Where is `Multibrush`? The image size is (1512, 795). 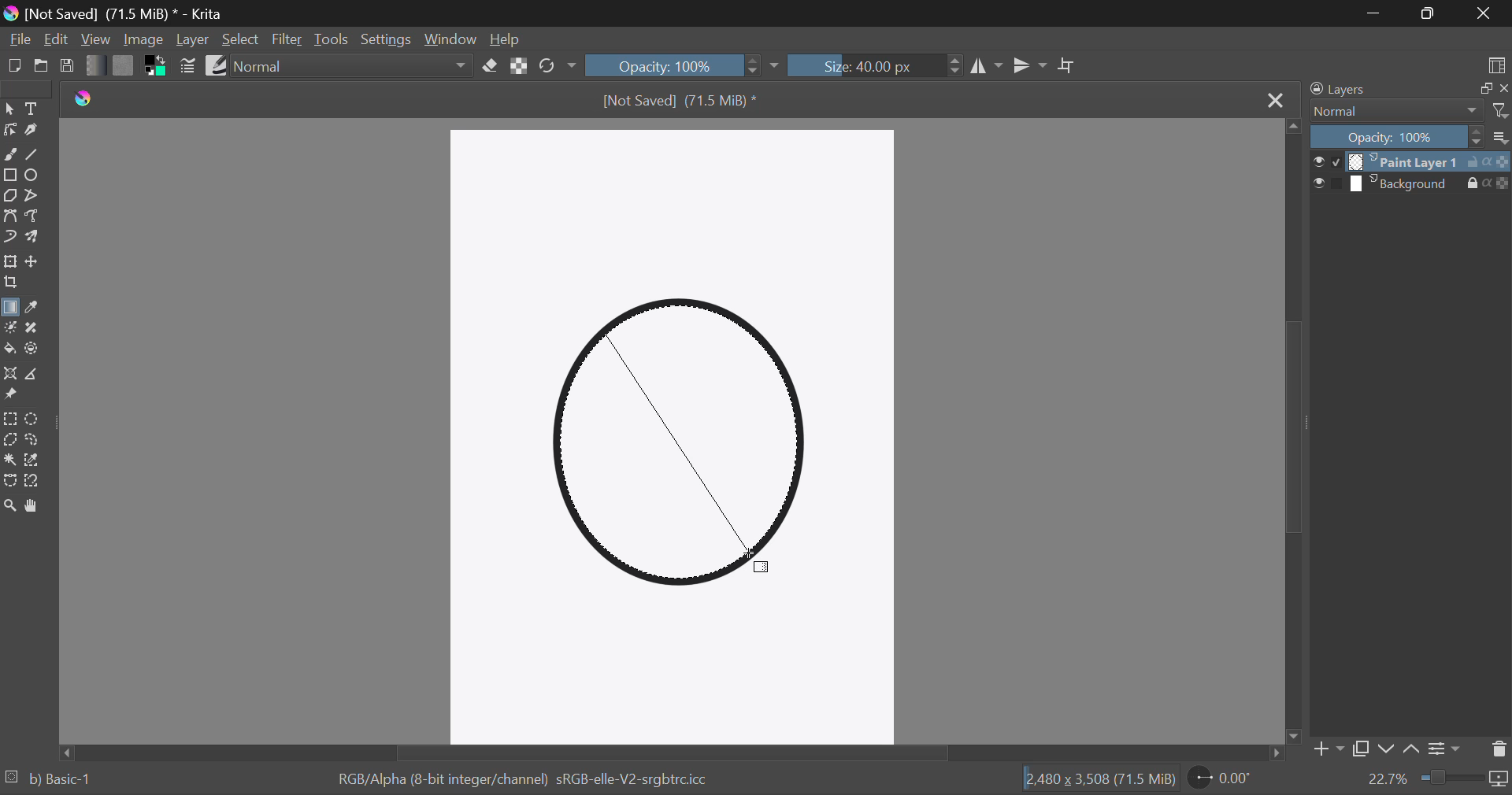 Multibrush is located at coordinates (34, 238).